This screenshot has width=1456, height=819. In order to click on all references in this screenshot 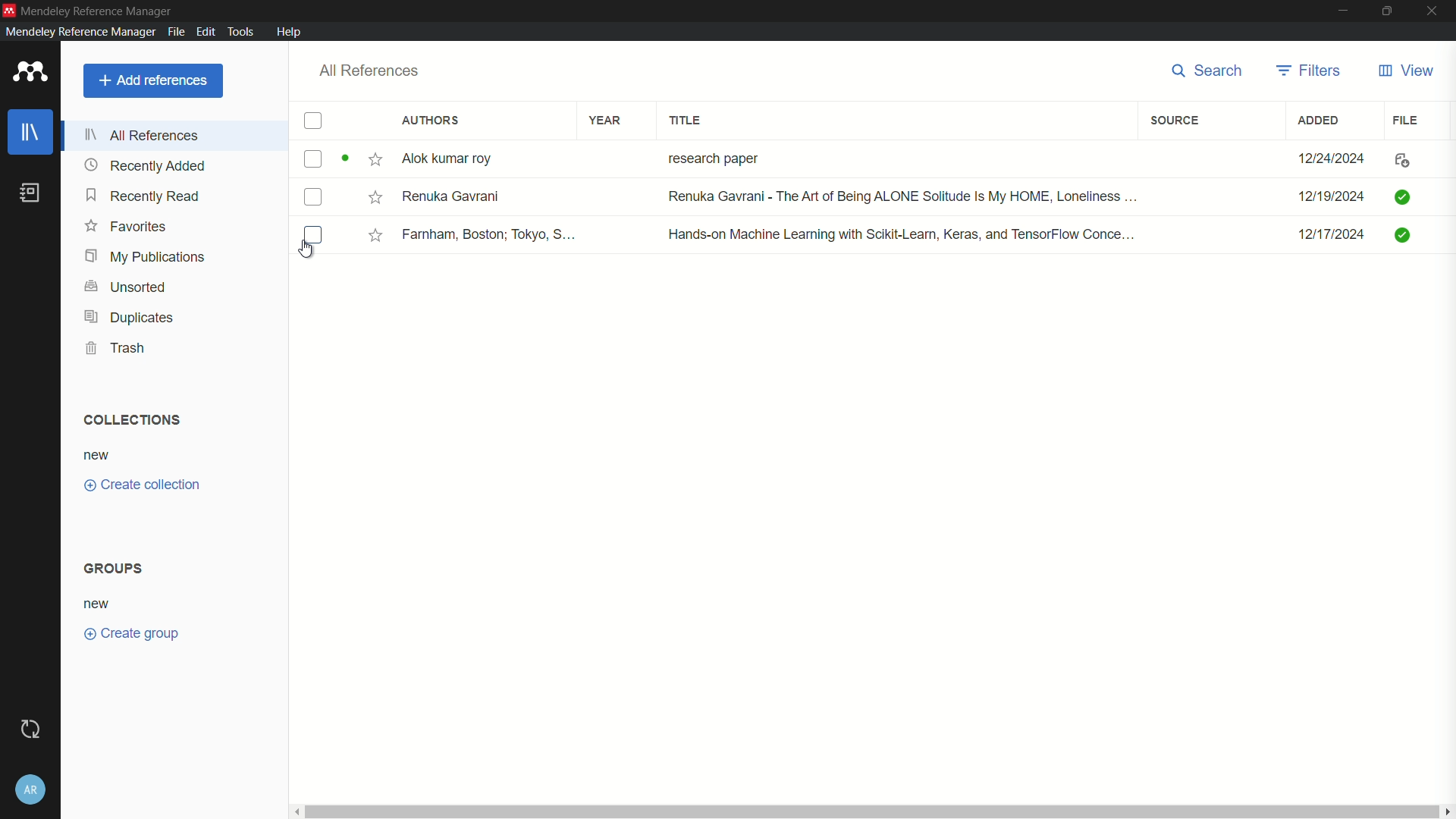, I will do `click(370, 70)`.